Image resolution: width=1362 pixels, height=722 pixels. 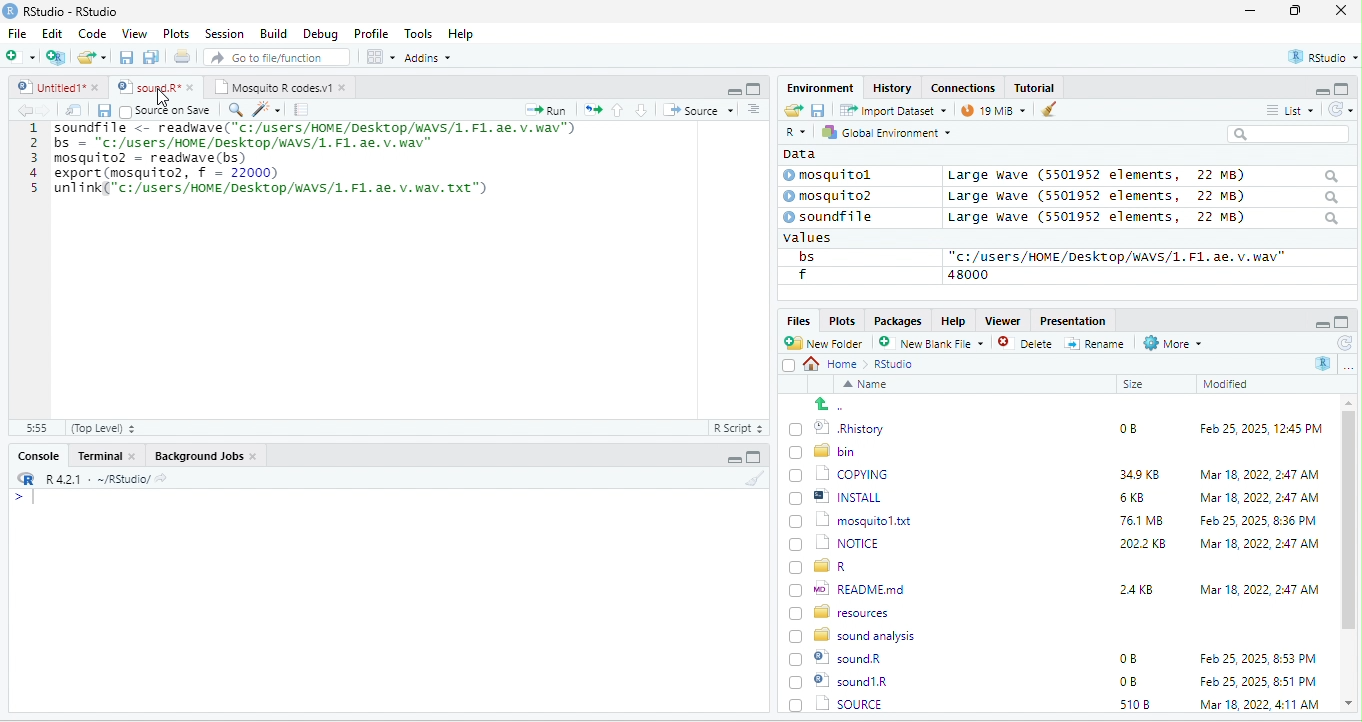 What do you see at coordinates (837, 404) in the screenshot?
I see `go back` at bounding box center [837, 404].